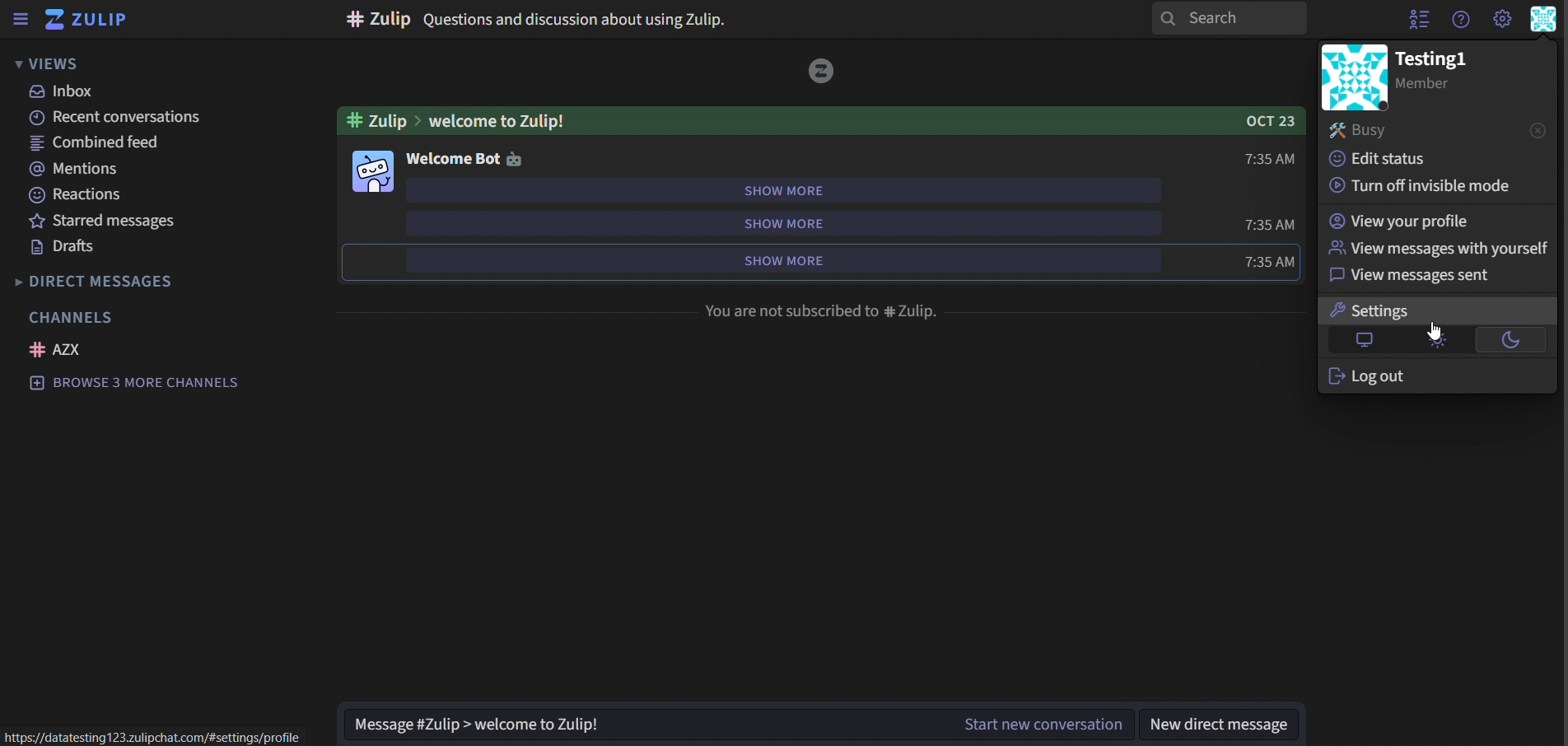 The height and width of the screenshot is (746, 1568). I want to click on recent conversation, so click(122, 118).